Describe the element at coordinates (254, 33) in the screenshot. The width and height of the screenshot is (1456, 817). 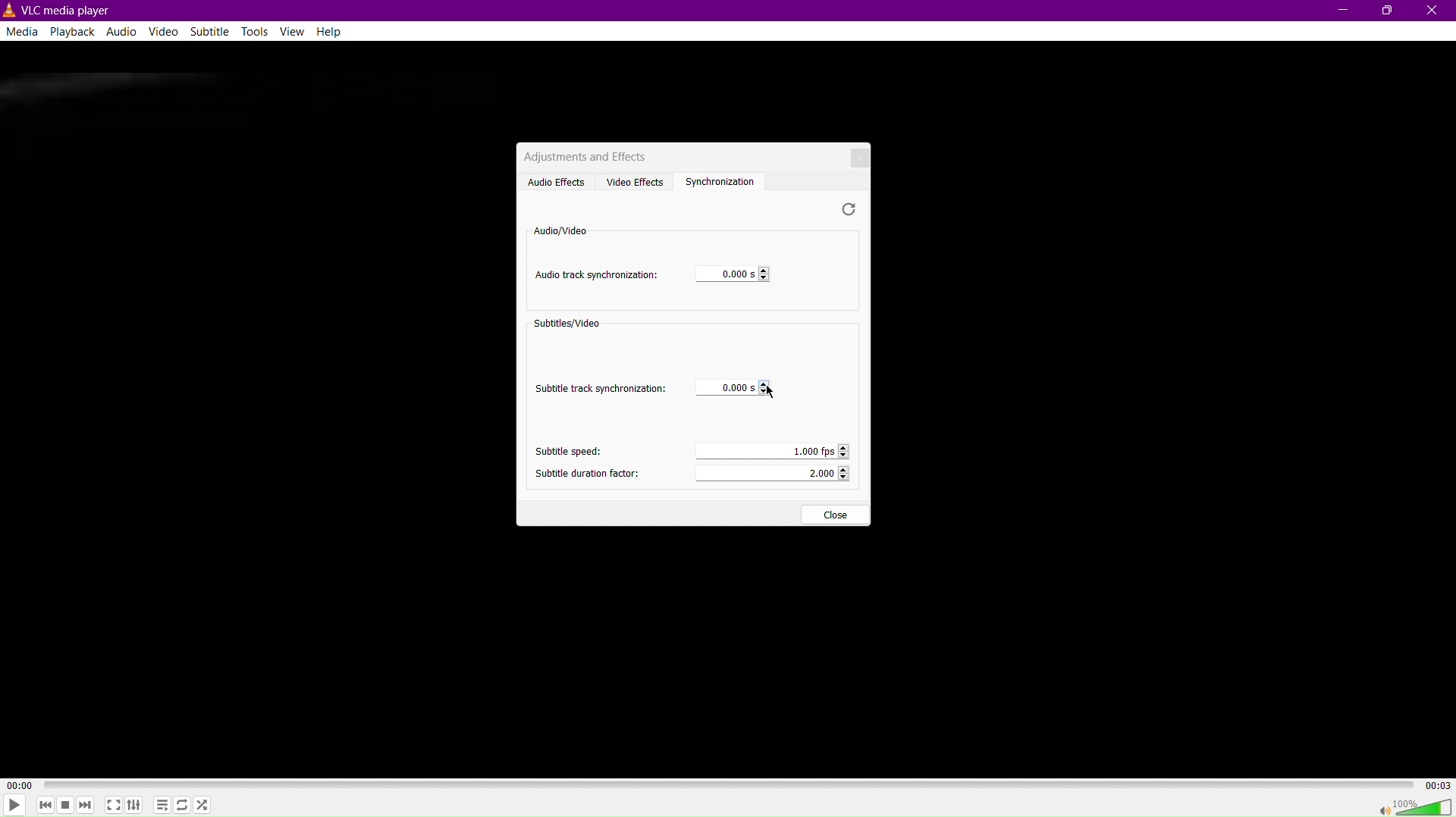
I see `Tools` at that location.